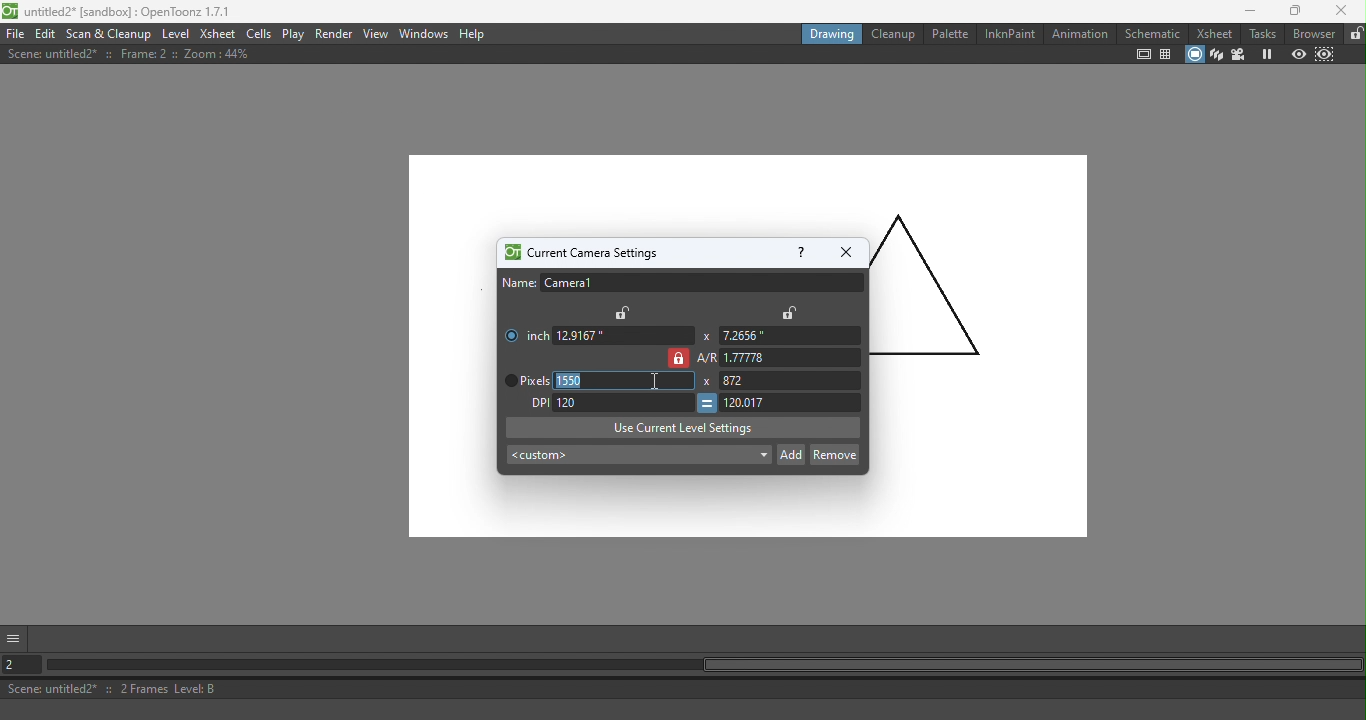  Describe the element at coordinates (623, 335) in the screenshot. I see `enter dimension` at that location.